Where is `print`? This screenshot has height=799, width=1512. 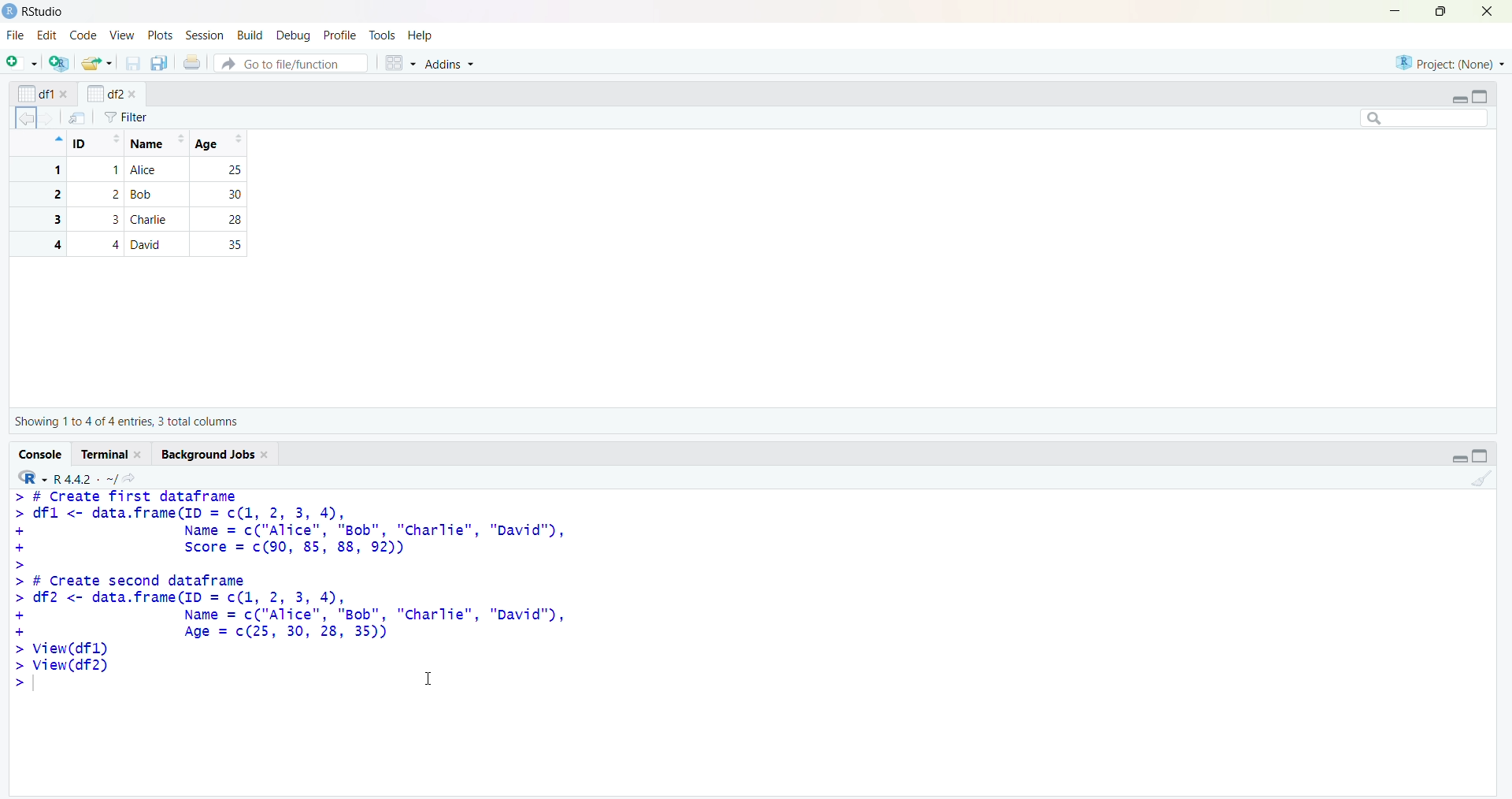
print is located at coordinates (193, 61).